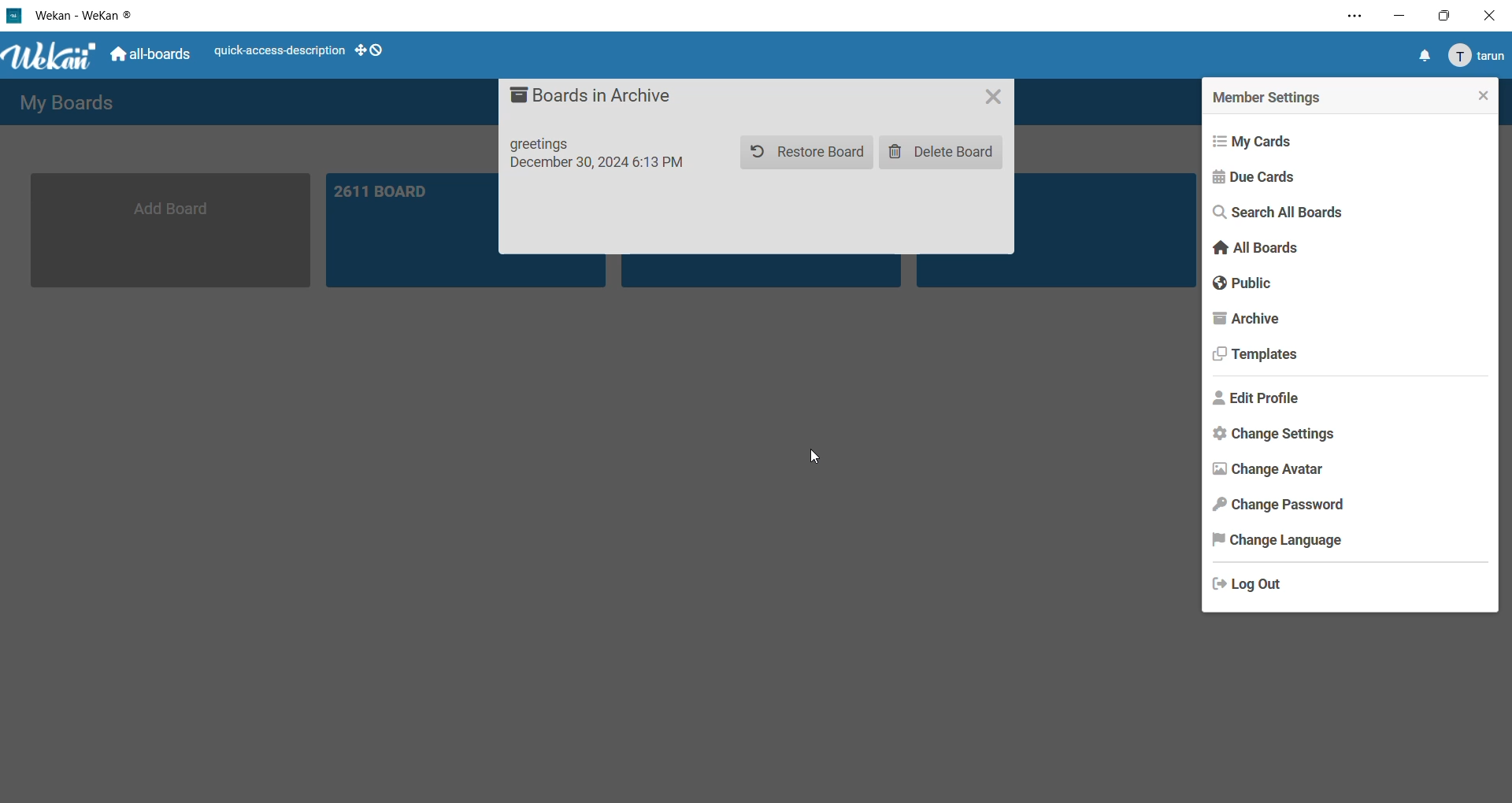 This screenshot has width=1512, height=803. Describe the element at coordinates (1271, 472) in the screenshot. I see `change avatar` at that location.